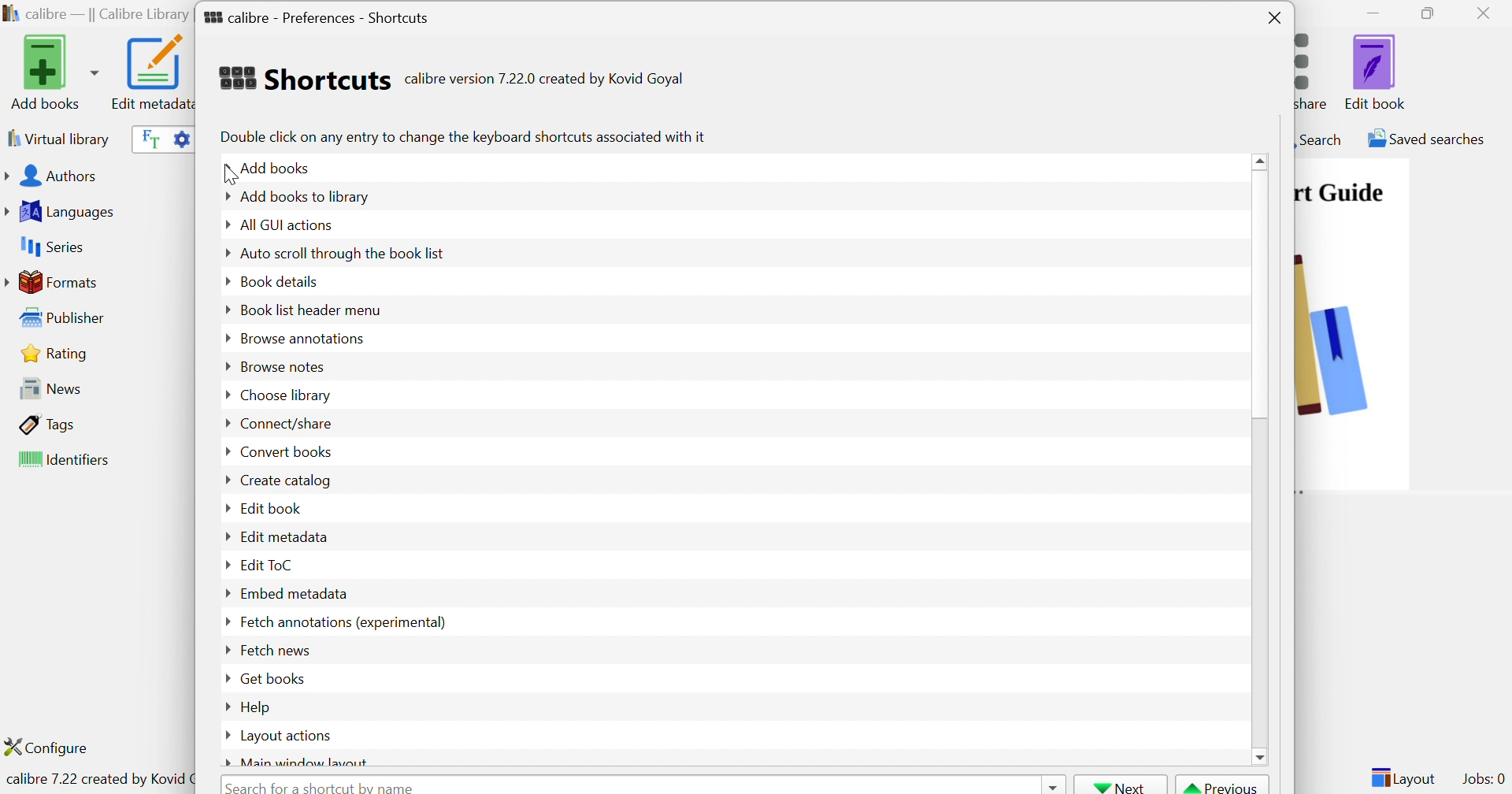 The width and height of the screenshot is (1512, 794). I want to click on Edit metadata, so click(284, 536).